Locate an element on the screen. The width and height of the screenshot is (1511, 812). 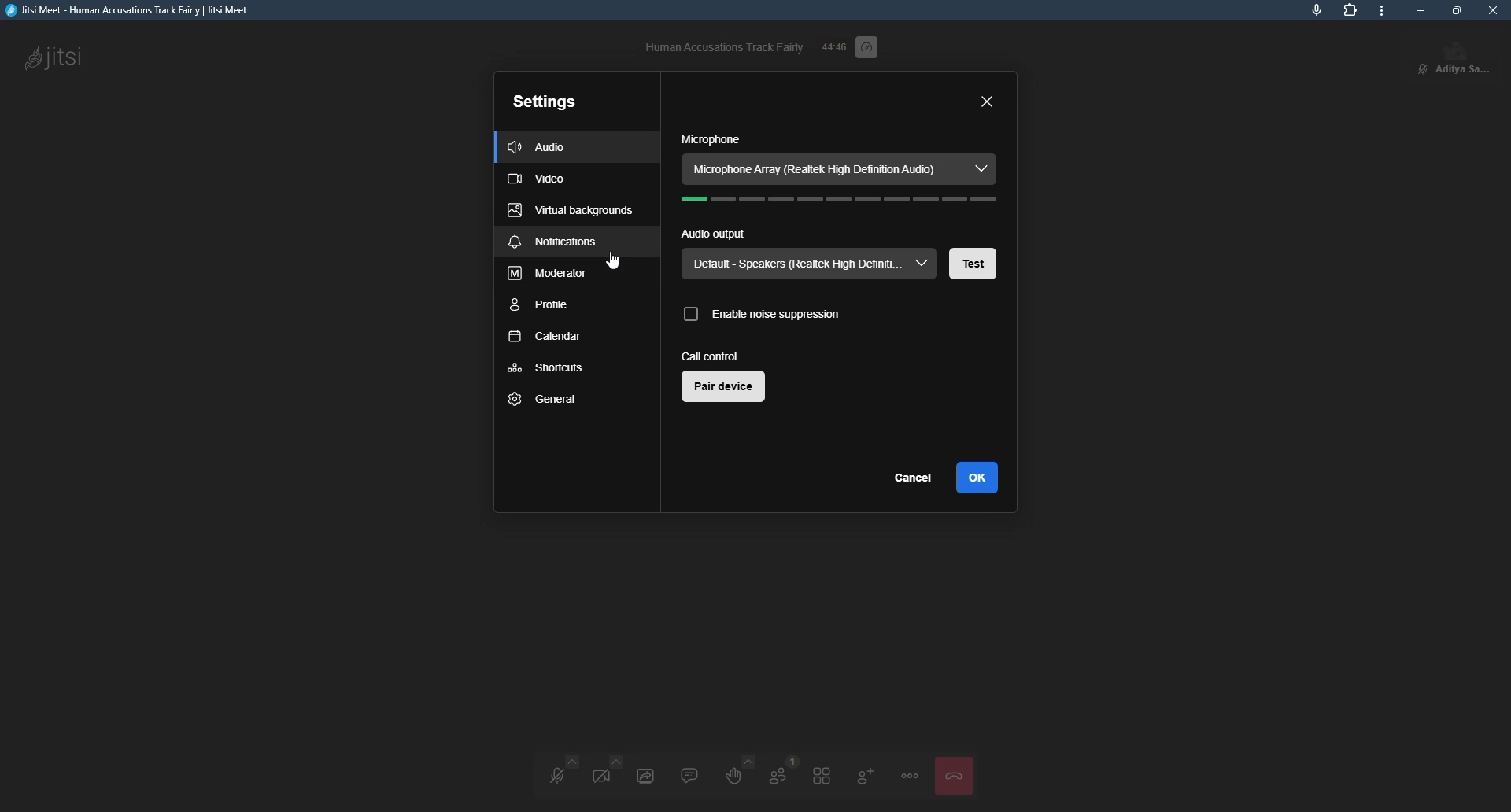
cancel is located at coordinates (916, 479).